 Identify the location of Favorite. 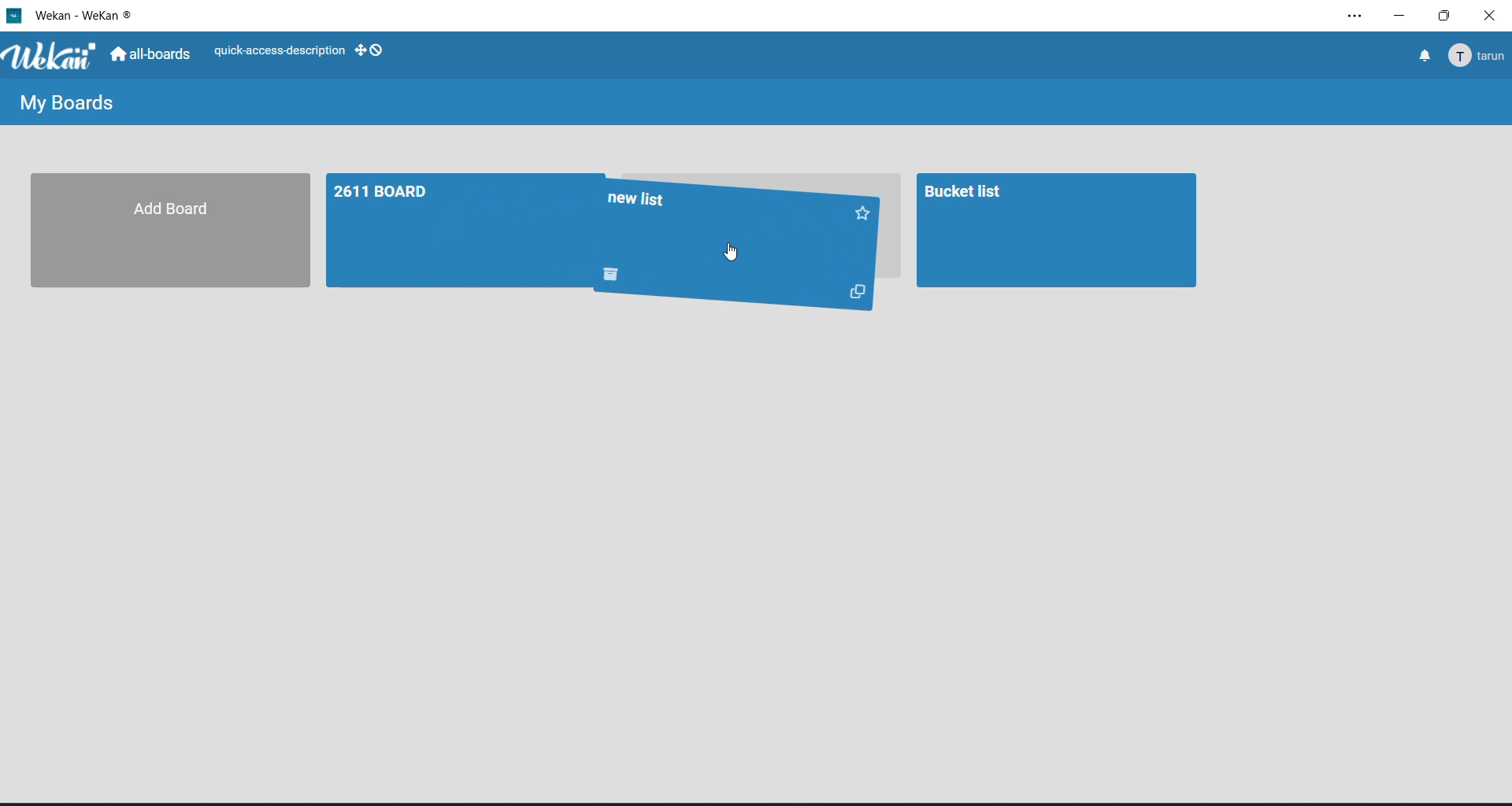
(865, 212).